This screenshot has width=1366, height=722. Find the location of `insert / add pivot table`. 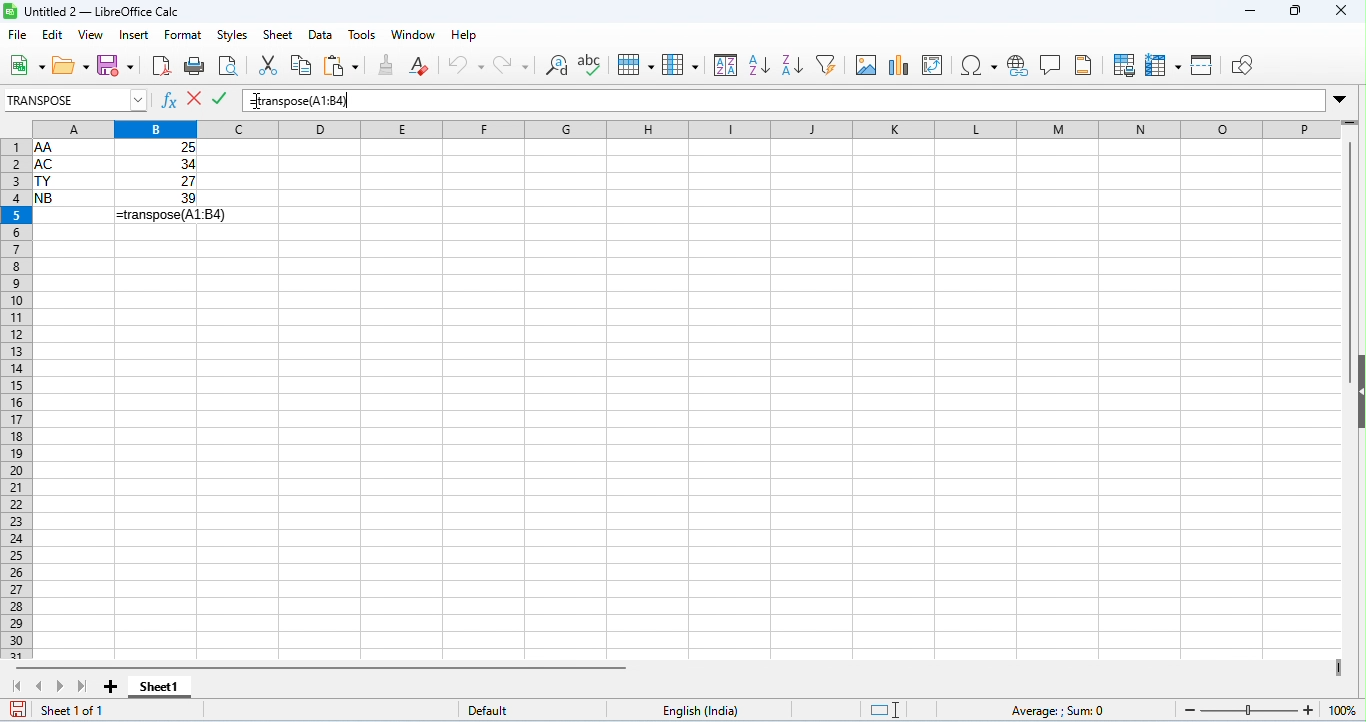

insert / add pivot table is located at coordinates (933, 65).